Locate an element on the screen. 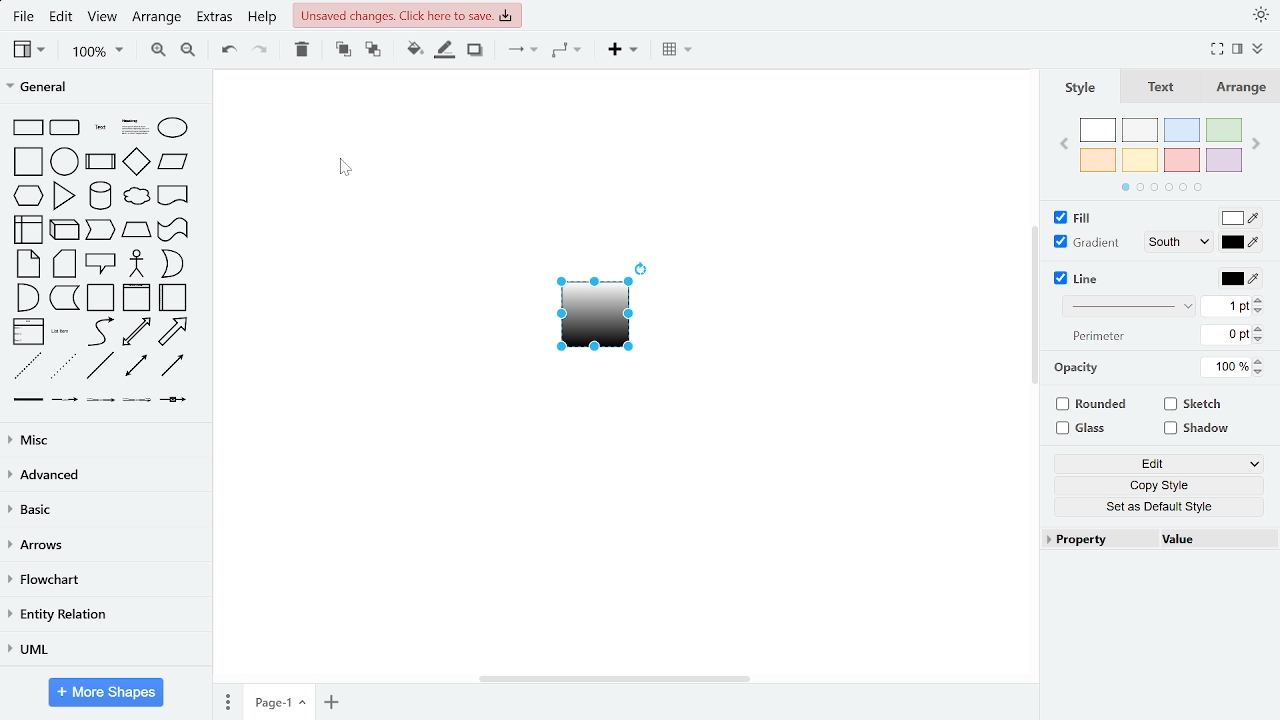 The height and width of the screenshot is (720, 1280). value is located at coordinates (1210, 539).